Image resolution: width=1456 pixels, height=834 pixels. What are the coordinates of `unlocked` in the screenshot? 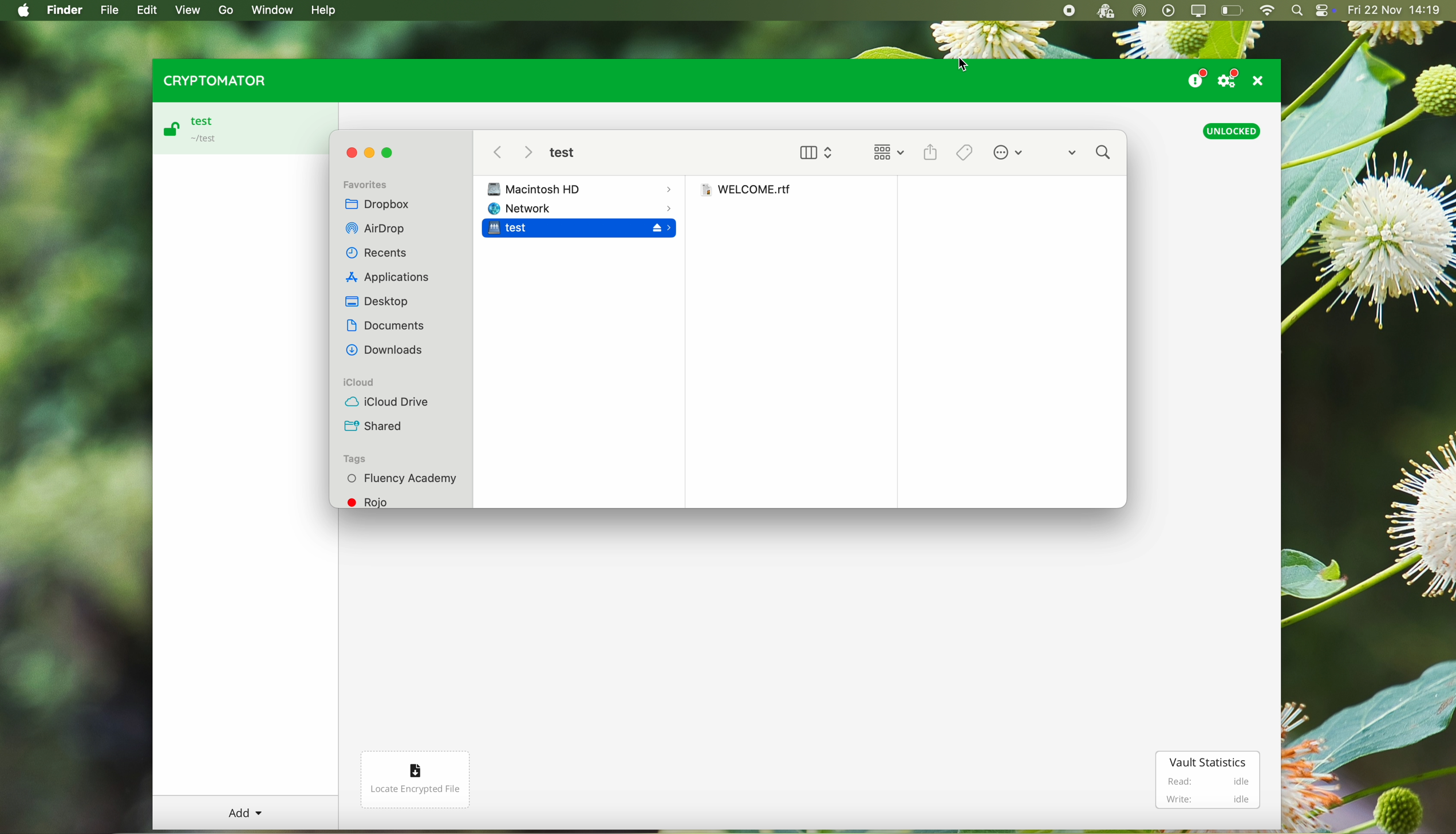 It's located at (1234, 131).